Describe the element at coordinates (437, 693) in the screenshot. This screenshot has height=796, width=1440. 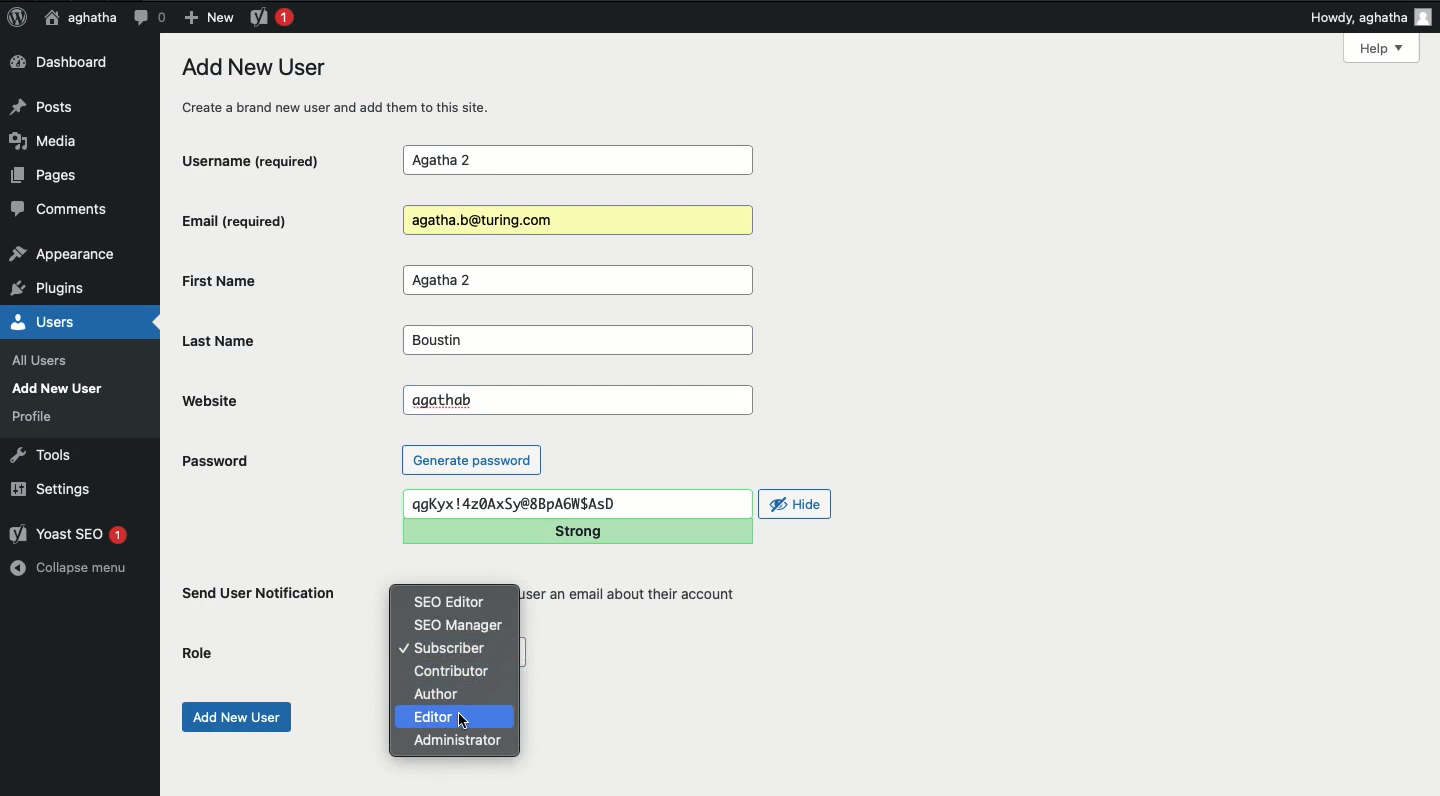
I see `Author` at that location.